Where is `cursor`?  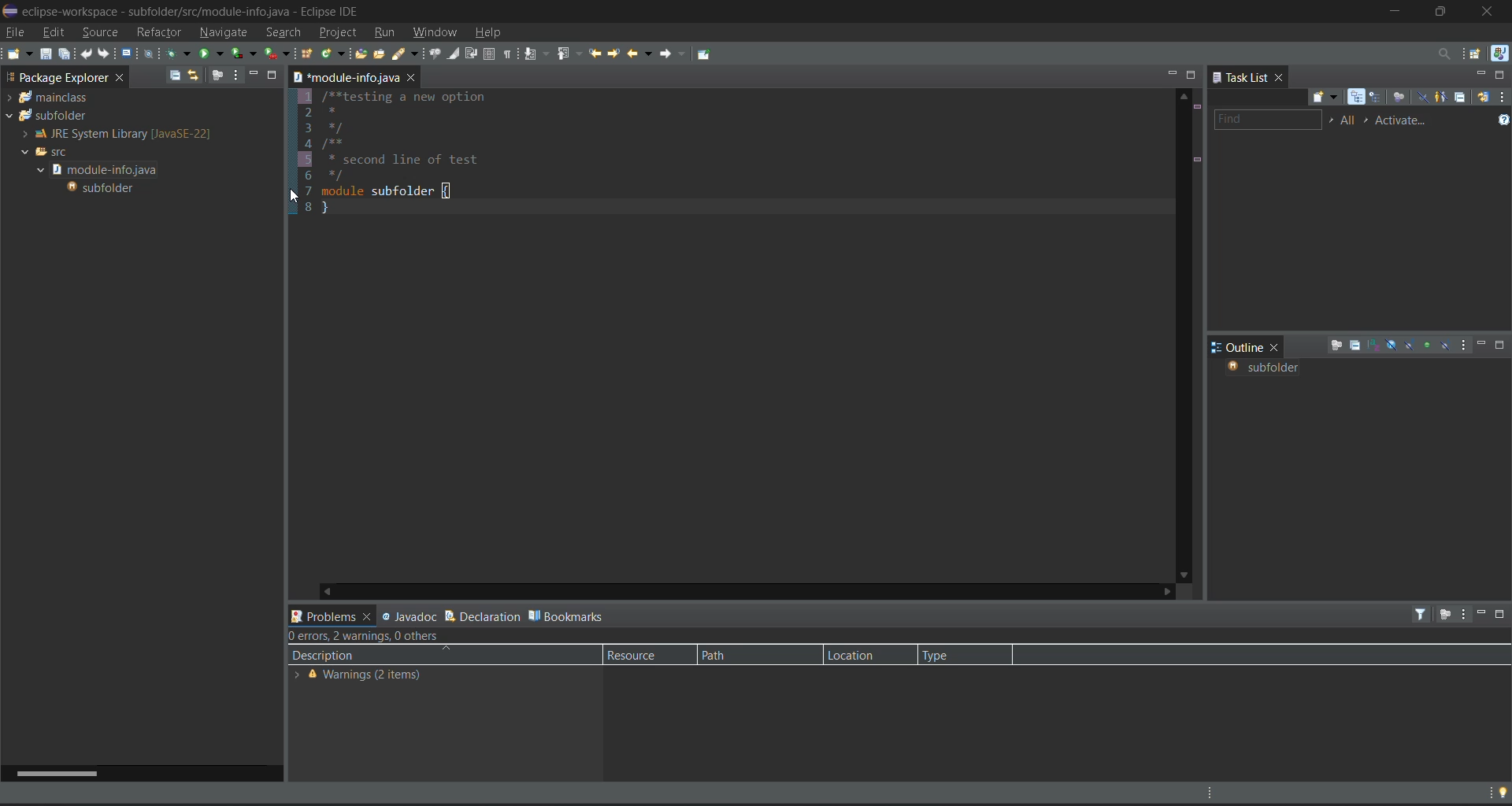
cursor is located at coordinates (295, 196).